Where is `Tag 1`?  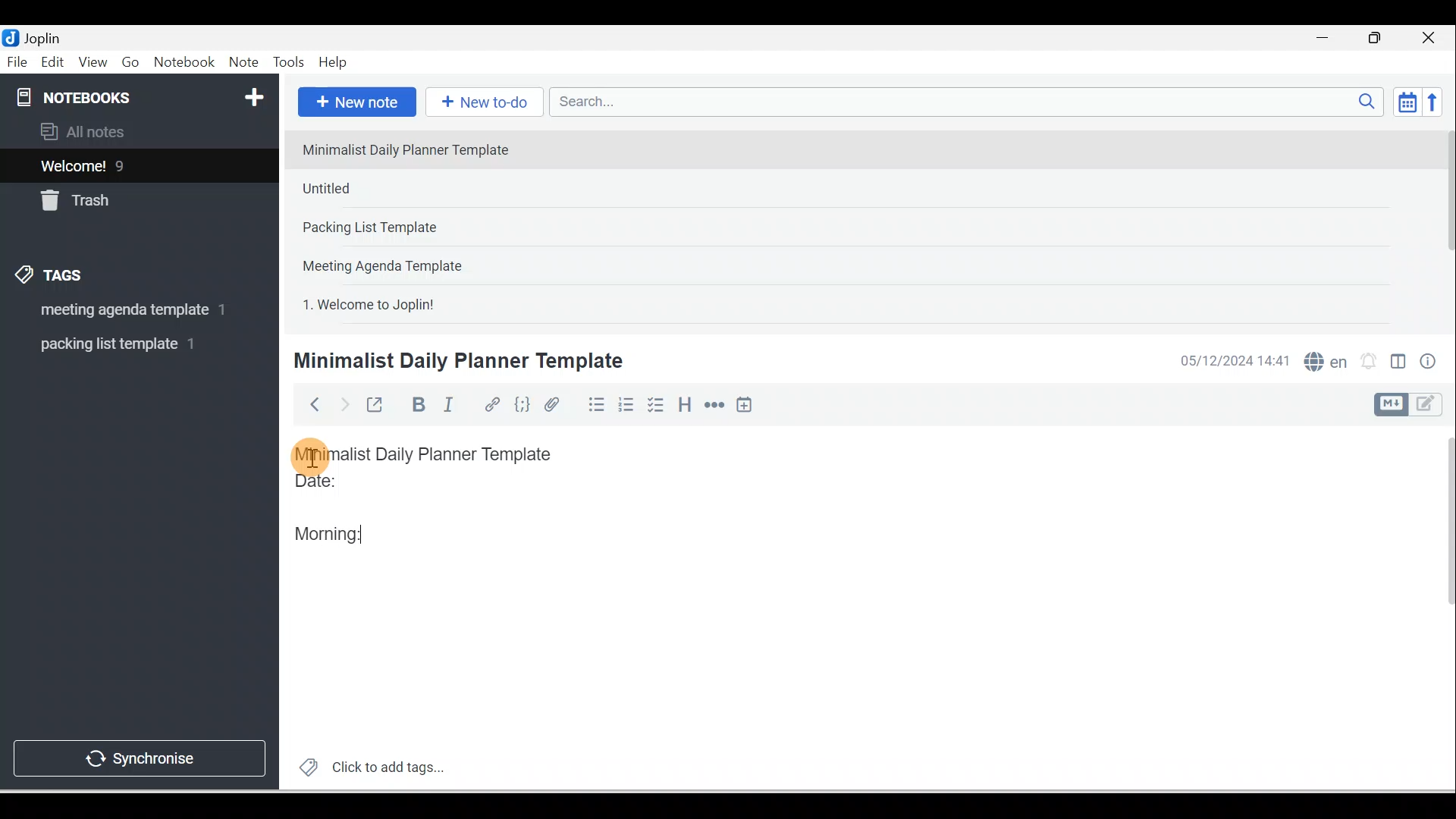 Tag 1 is located at coordinates (119, 311).